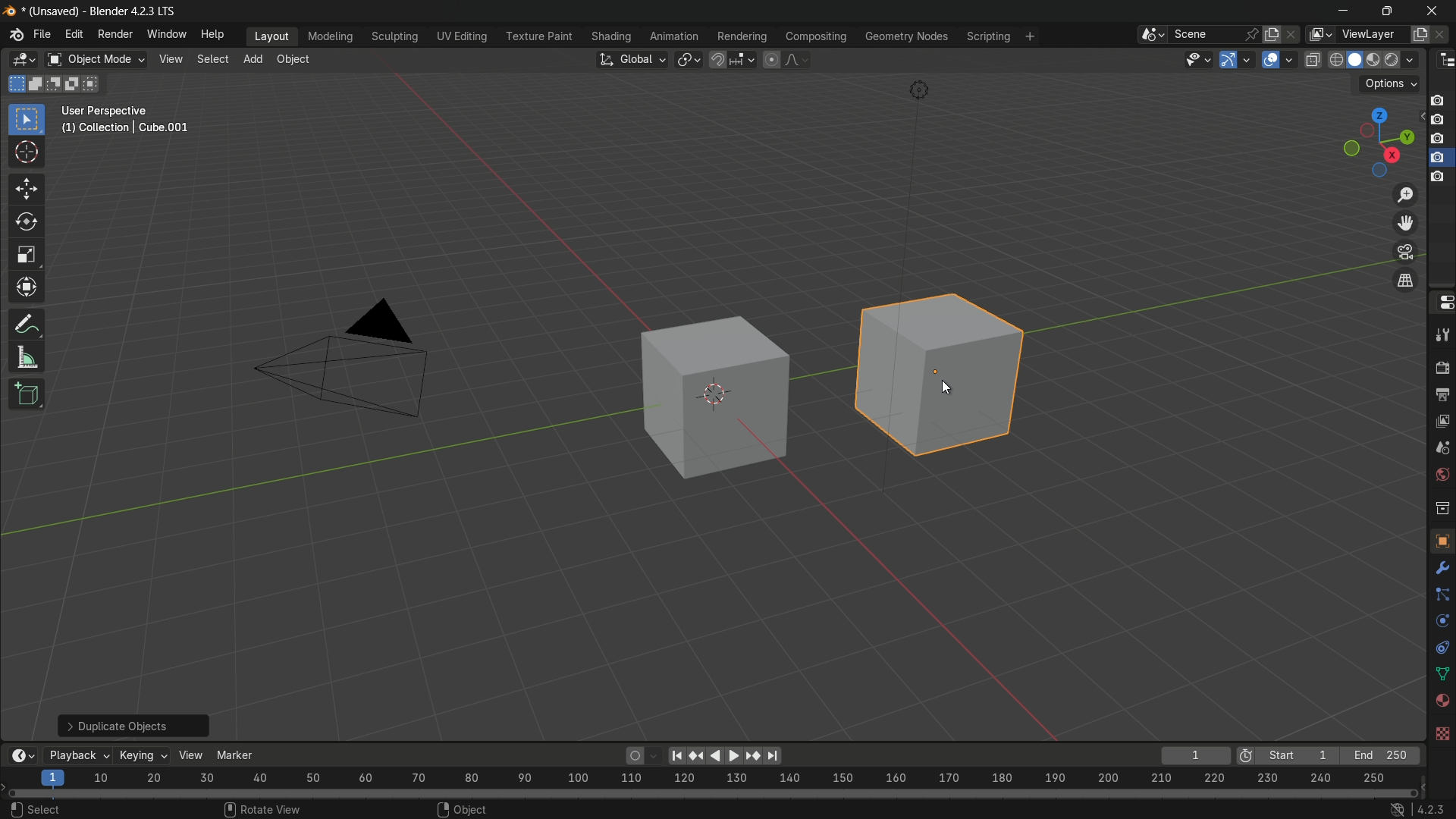 This screenshot has height=819, width=1456. I want to click on texture paint menu, so click(535, 38).